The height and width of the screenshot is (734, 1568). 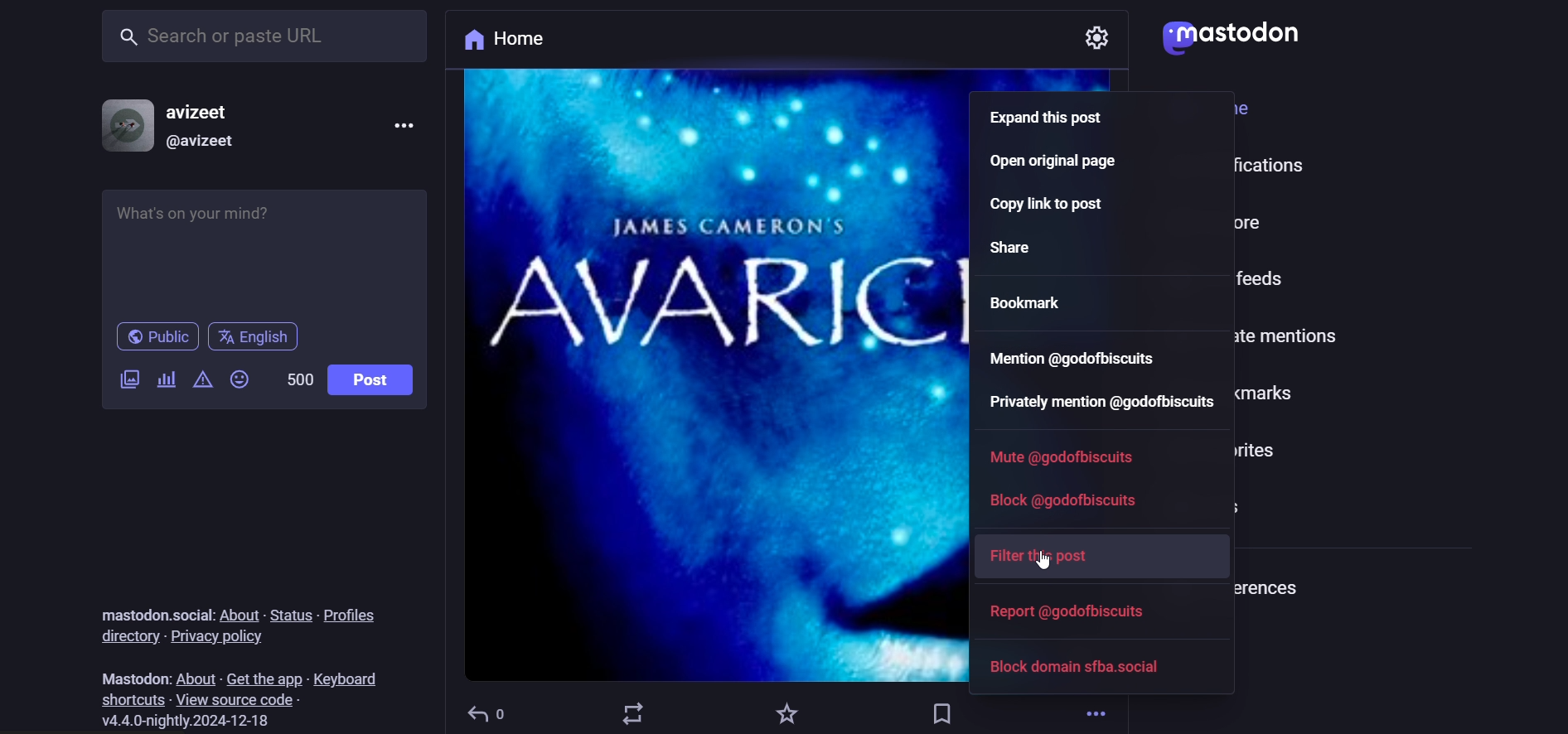 I want to click on privacy policy, so click(x=221, y=638).